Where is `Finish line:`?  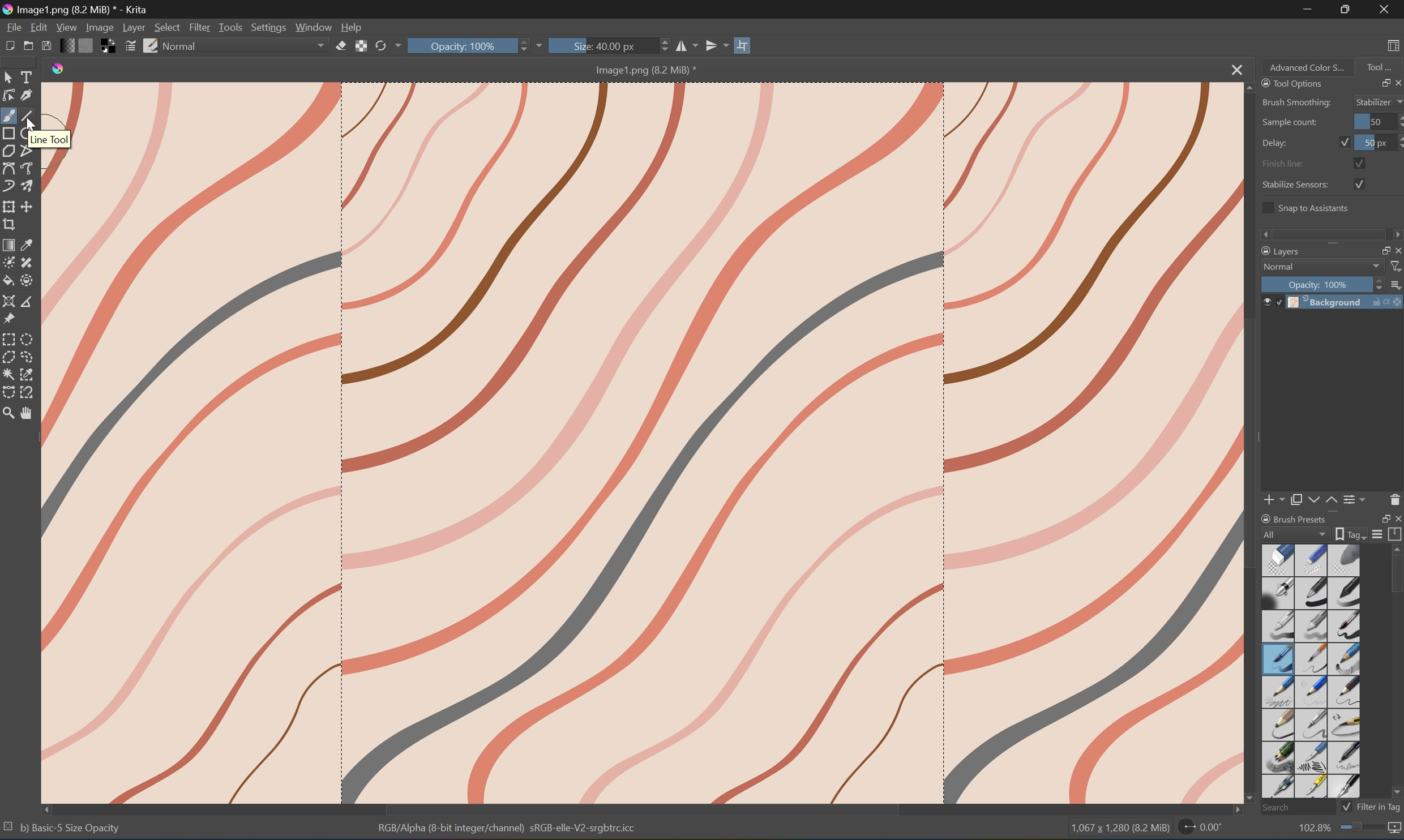 Finish line: is located at coordinates (1287, 163).